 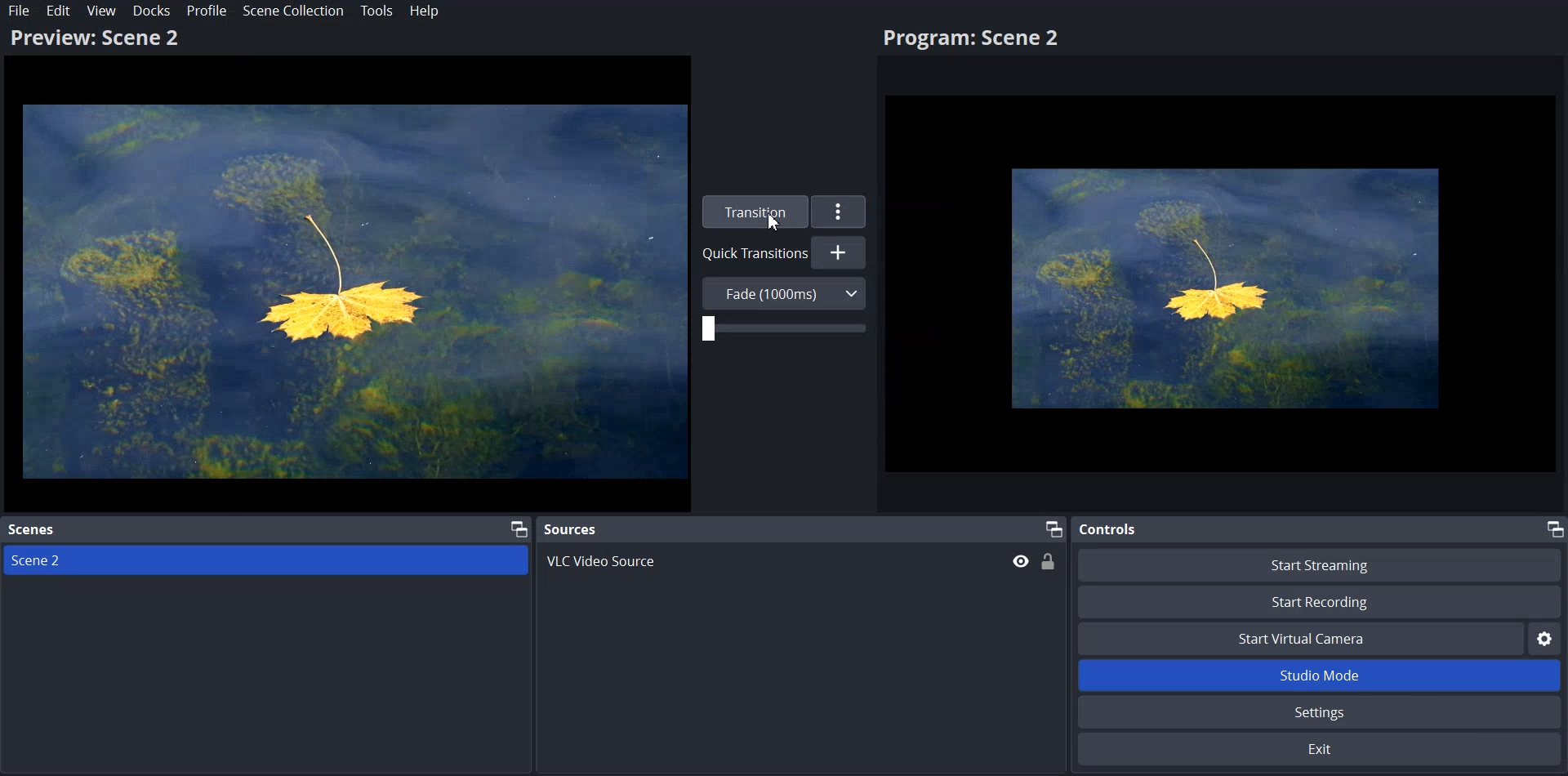 What do you see at coordinates (1322, 676) in the screenshot?
I see `Studio Mode` at bounding box center [1322, 676].